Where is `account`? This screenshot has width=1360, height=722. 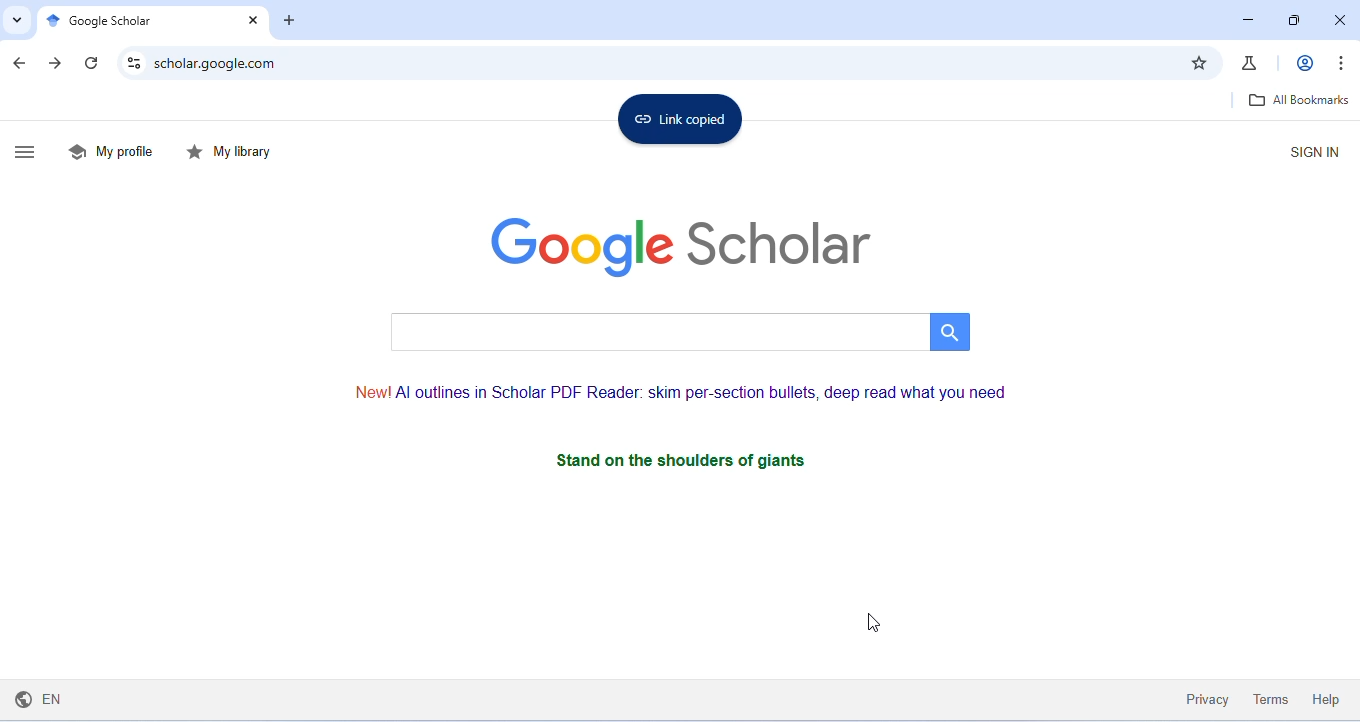
account is located at coordinates (1302, 61).